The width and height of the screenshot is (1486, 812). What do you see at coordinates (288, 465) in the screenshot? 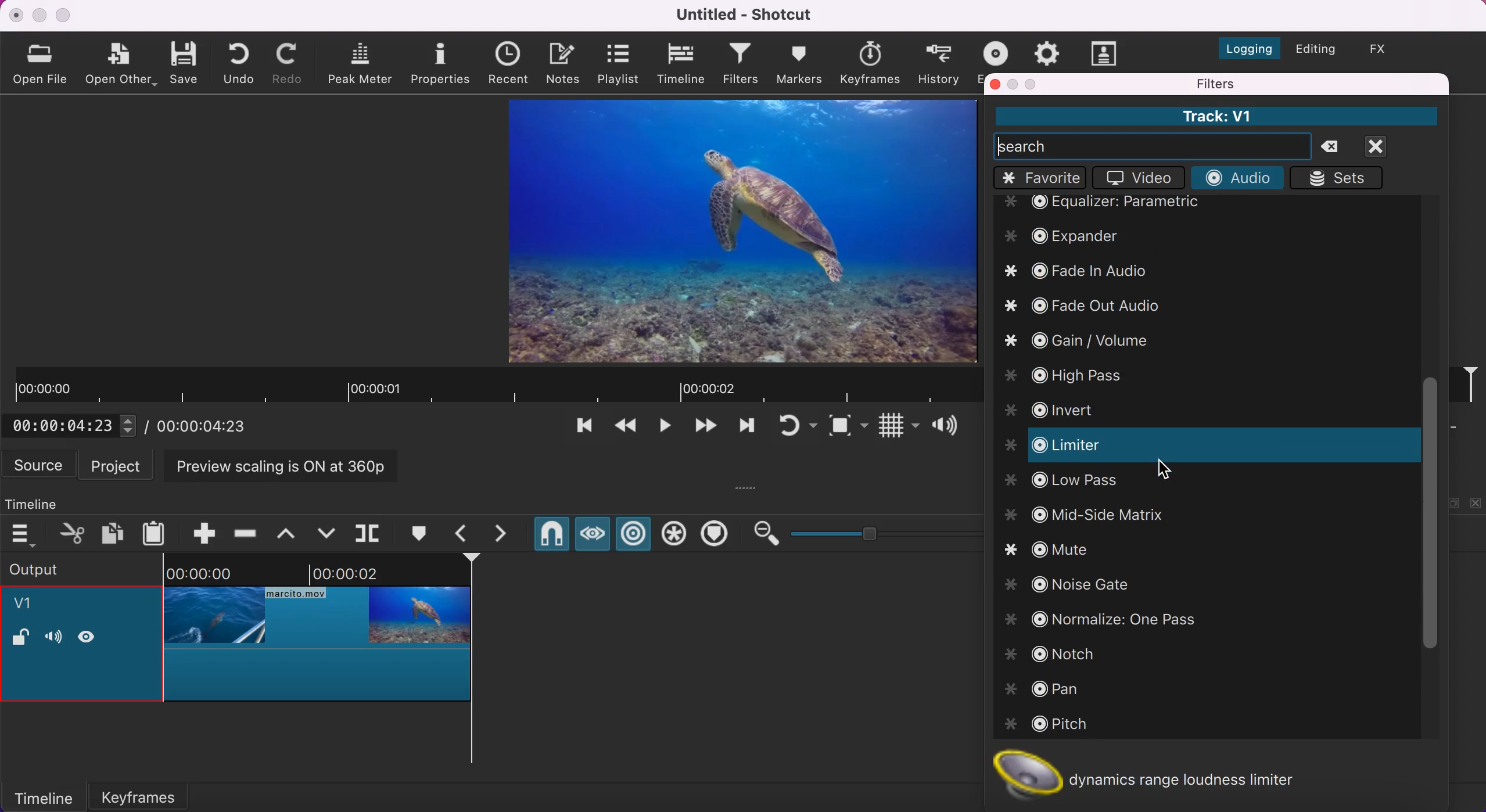
I see `preview scaling is on at 360p` at bounding box center [288, 465].